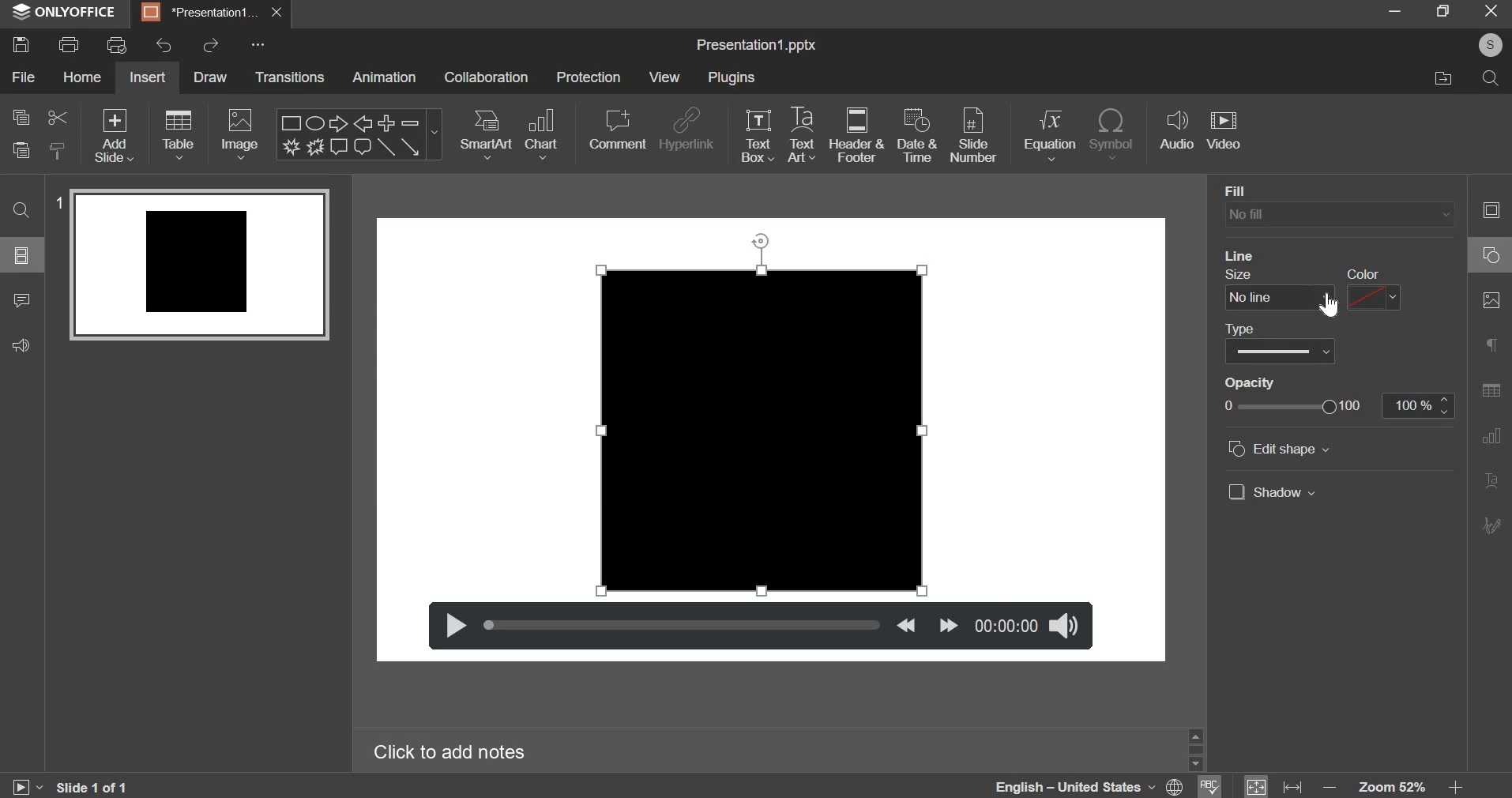  What do you see at coordinates (757, 135) in the screenshot?
I see `text box` at bounding box center [757, 135].